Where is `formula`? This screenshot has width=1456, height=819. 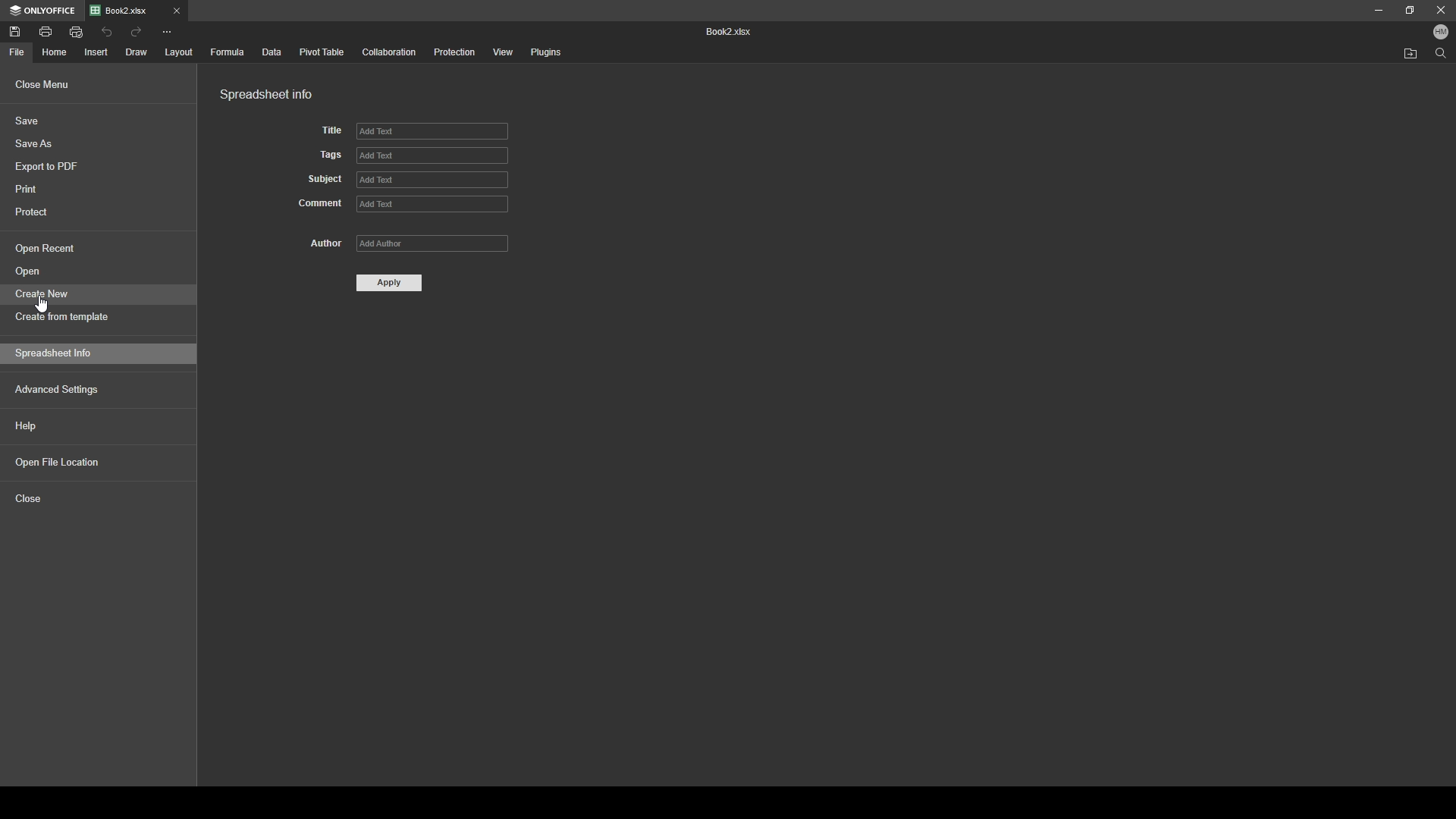
formula is located at coordinates (229, 52).